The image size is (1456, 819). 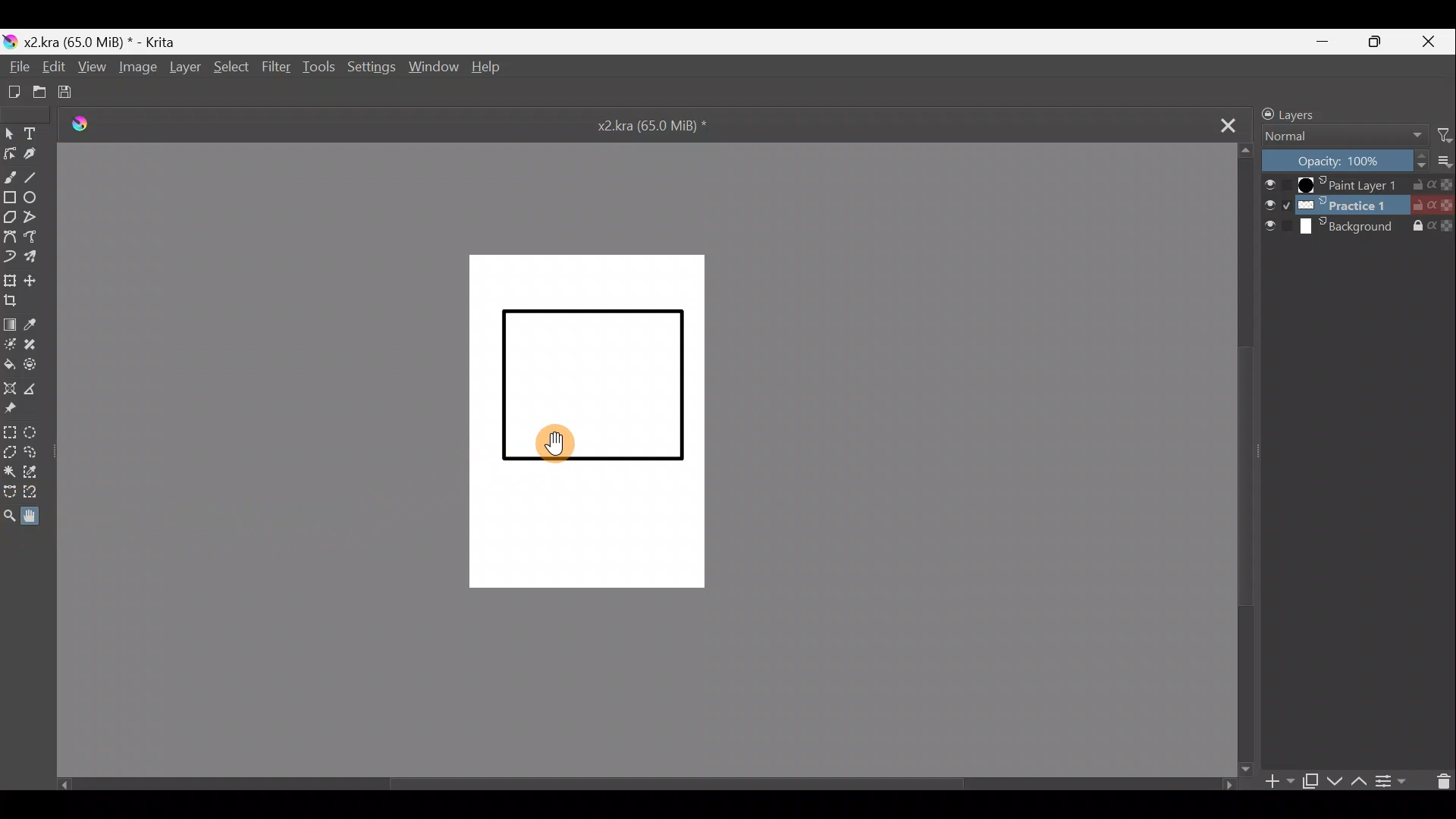 What do you see at coordinates (370, 68) in the screenshot?
I see `Settings` at bounding box center [370, 68].